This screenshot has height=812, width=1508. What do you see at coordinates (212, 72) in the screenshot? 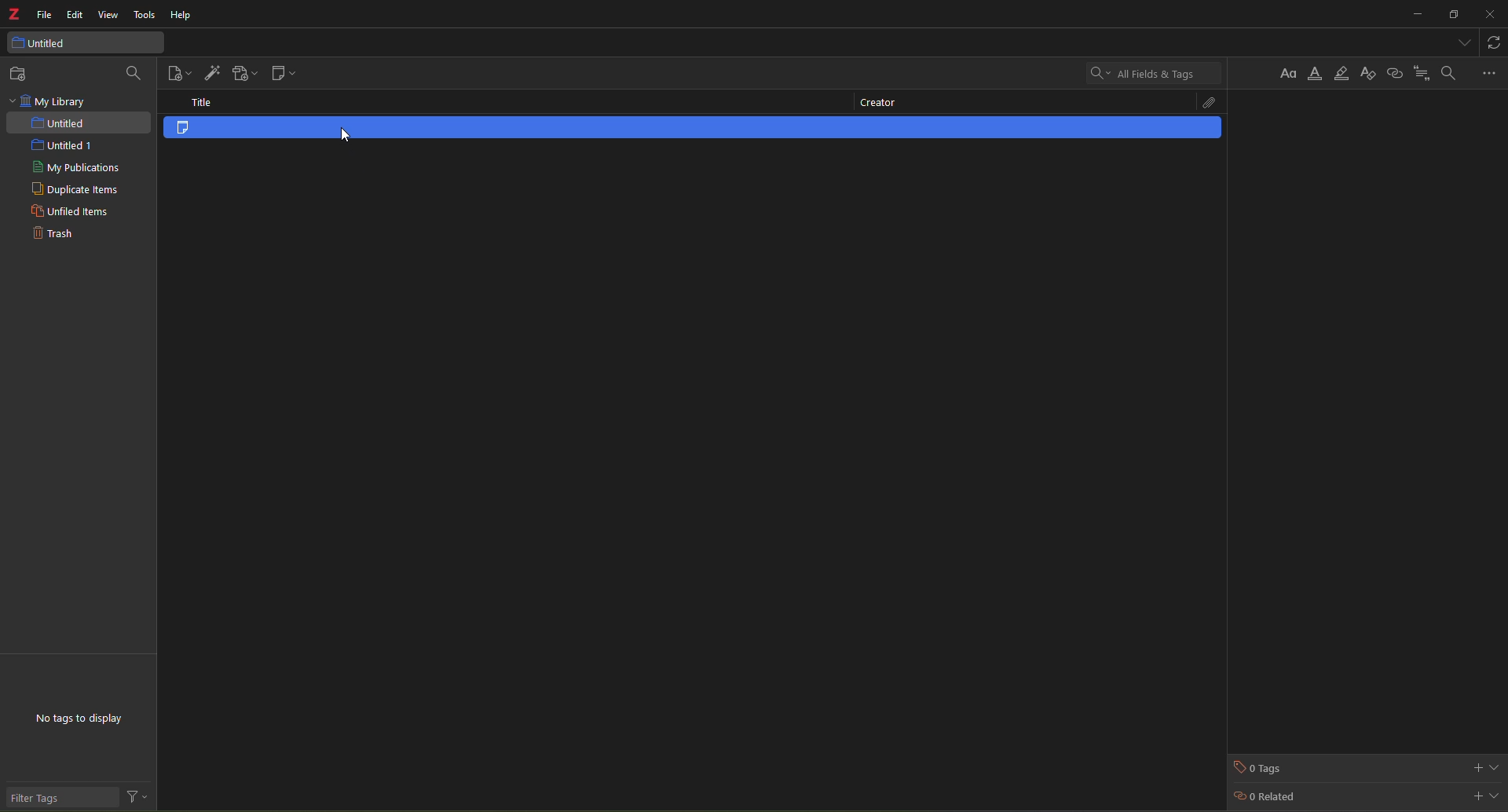
I see `add item` at bounding box center [212, 72].